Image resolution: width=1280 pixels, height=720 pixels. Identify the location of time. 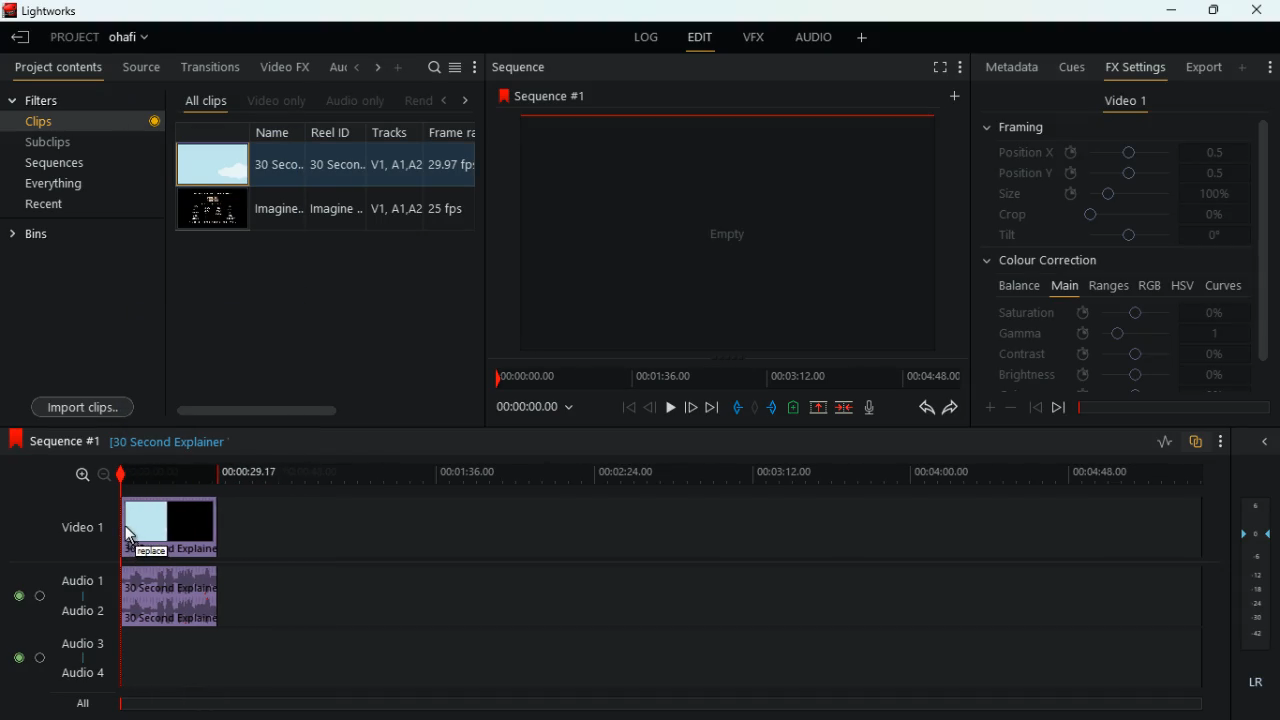
(537, 409).